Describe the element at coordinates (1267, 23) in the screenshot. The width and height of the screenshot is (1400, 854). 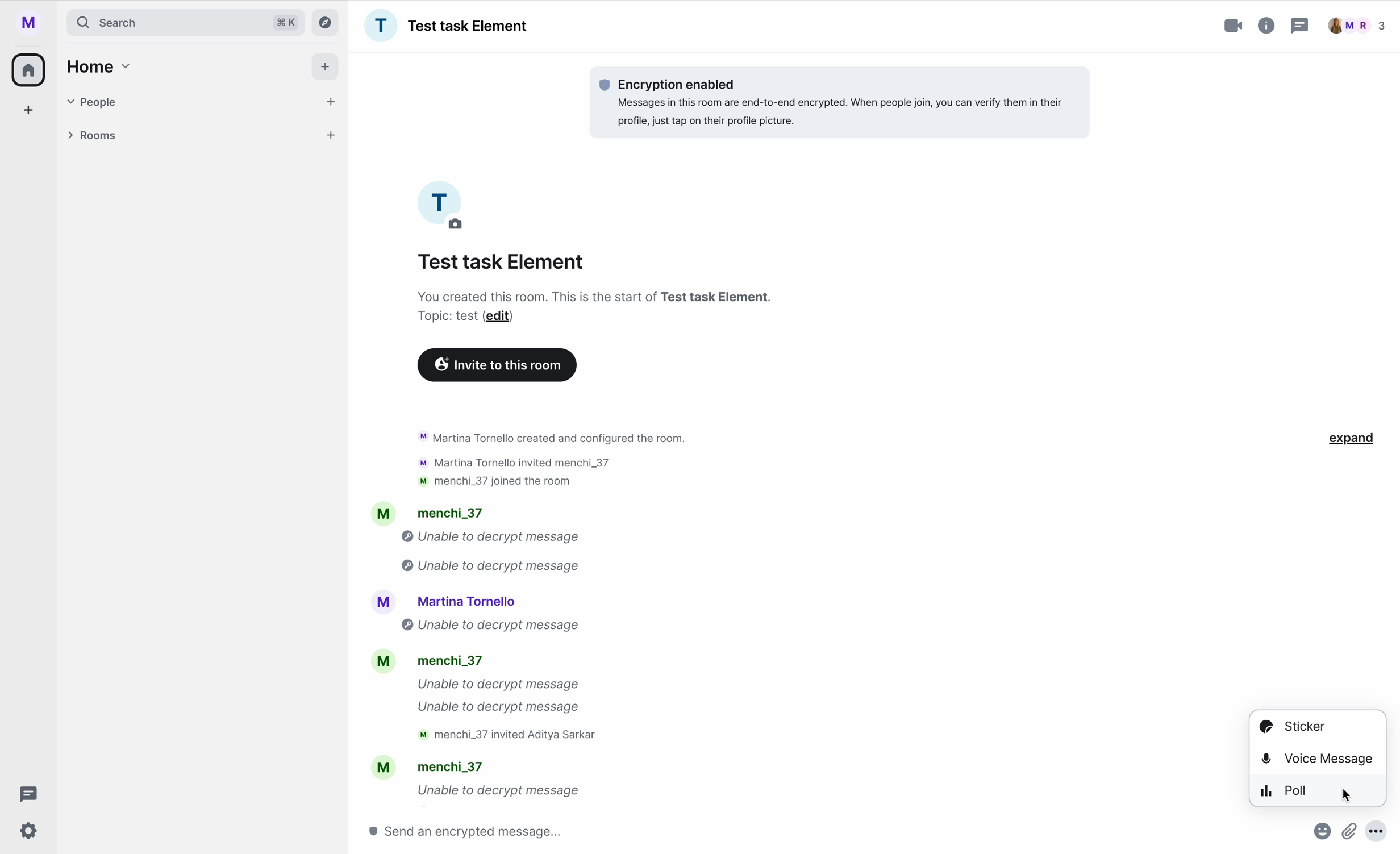
I see `information` at that location.